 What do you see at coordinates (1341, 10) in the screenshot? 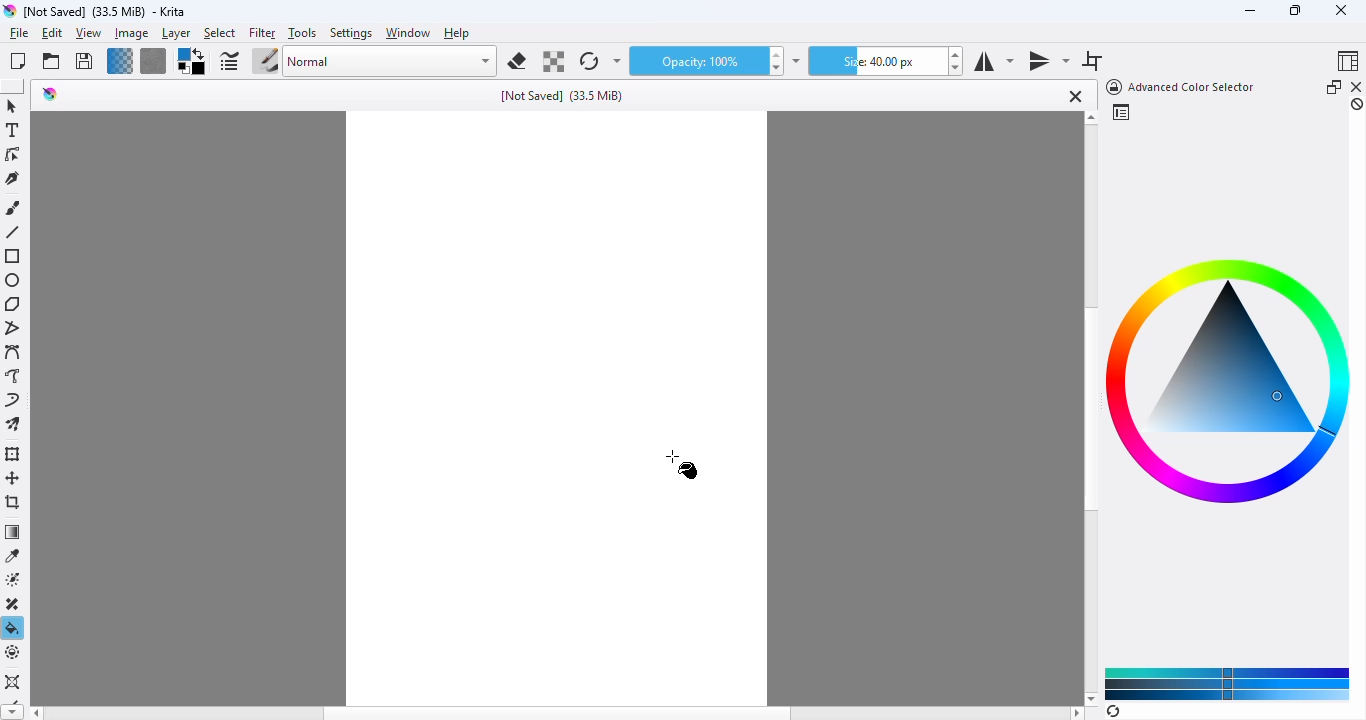
I see `close` at bounding box center [1341, 10].